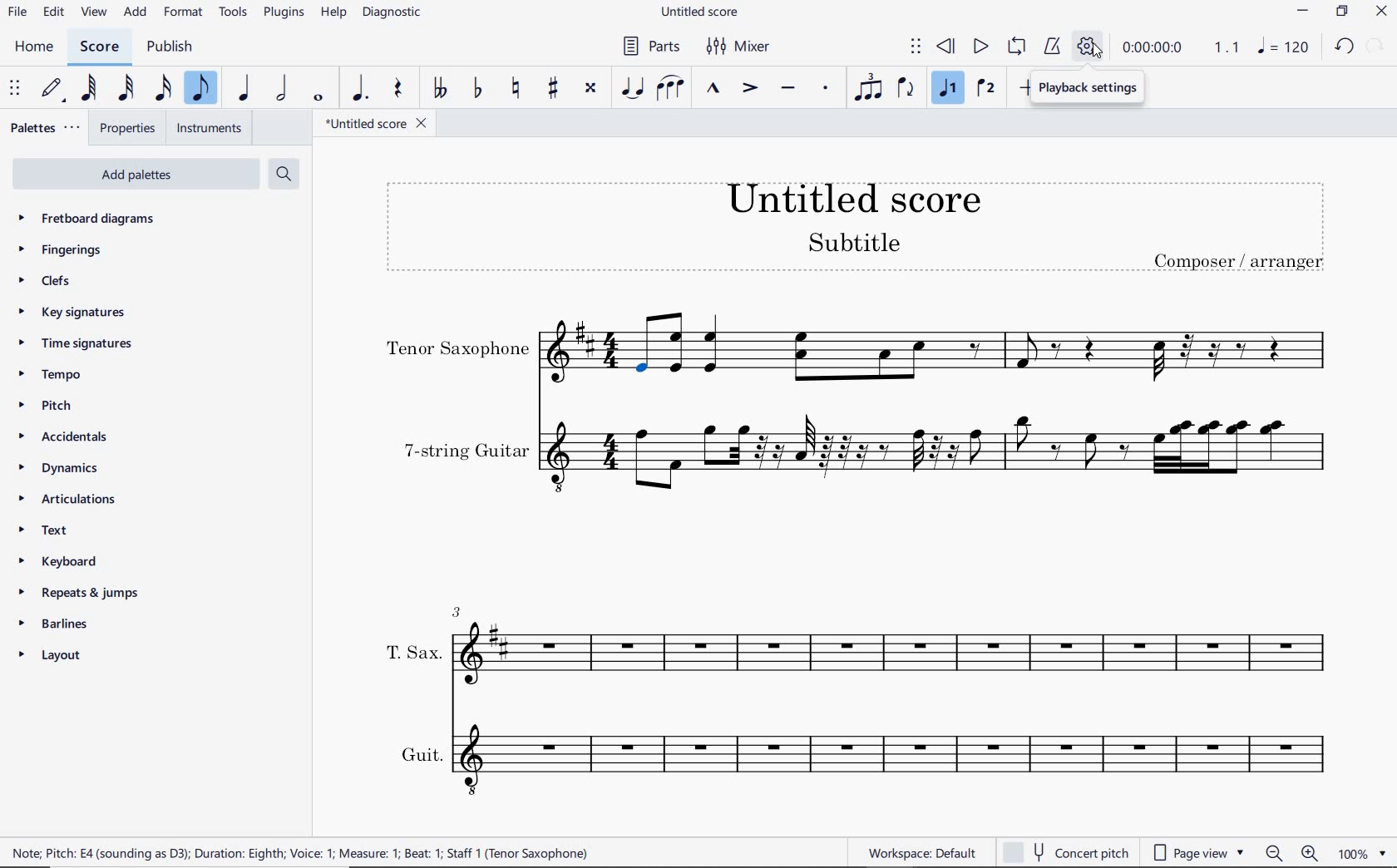 This screenshot has height=868, width=1397. What do you see at coordinates (170, 50) in the screenshot?
I see `PUBLISH` at bounding box center [170, 50].